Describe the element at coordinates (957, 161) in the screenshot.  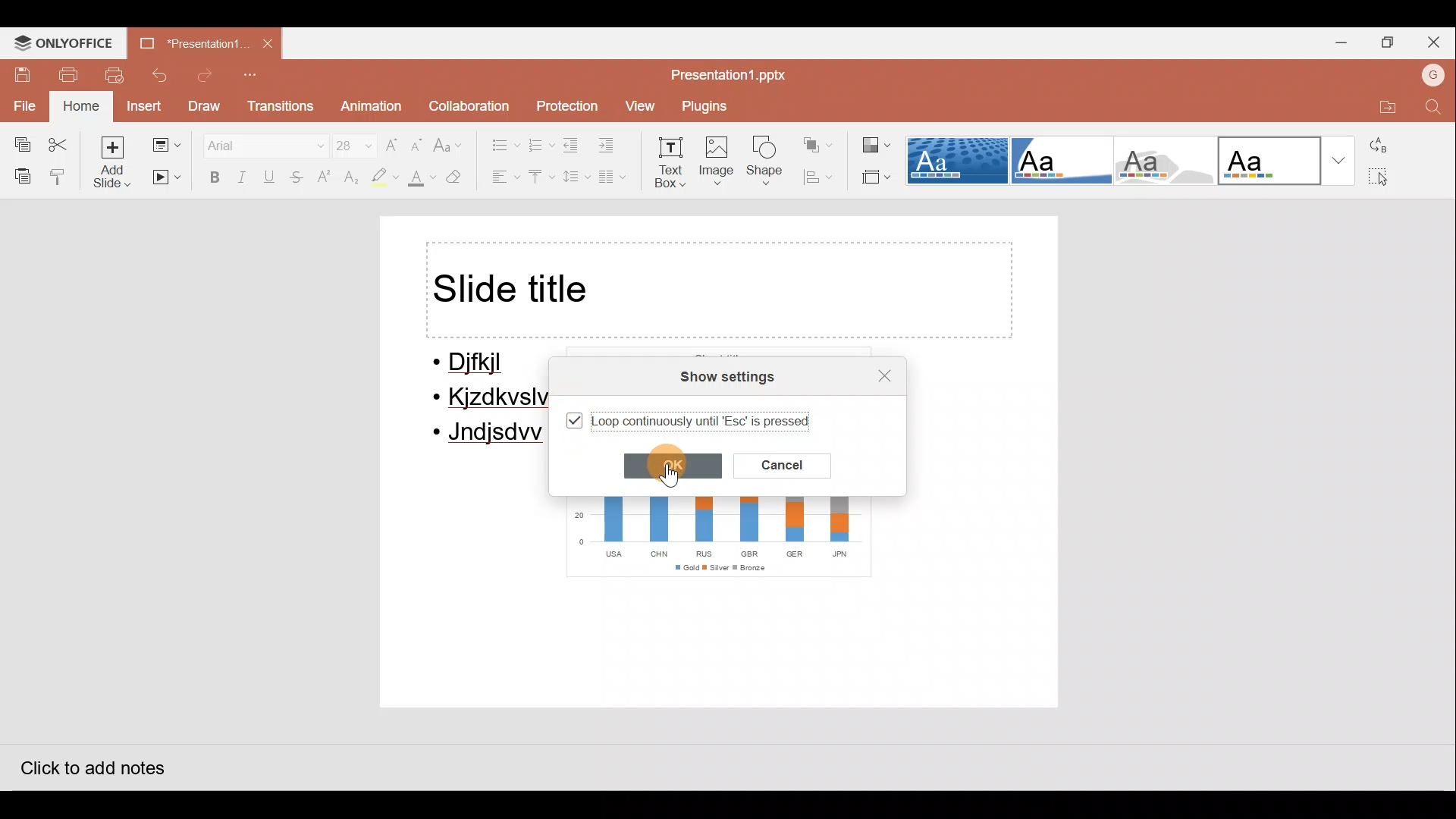
I see `Dotted` at that location.